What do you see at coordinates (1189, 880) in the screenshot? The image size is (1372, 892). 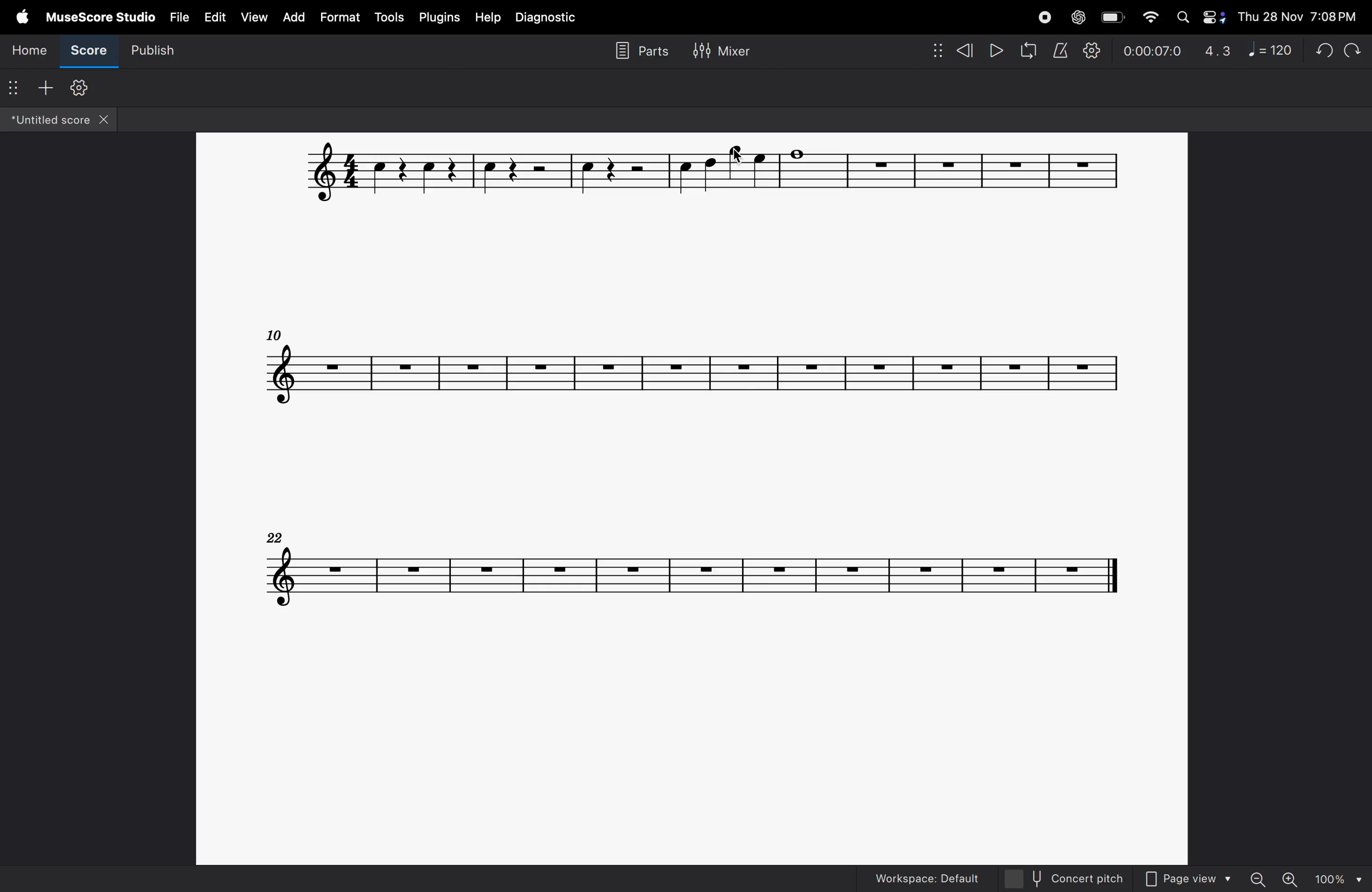 I see `page view` at bounding box center [1189, 880].